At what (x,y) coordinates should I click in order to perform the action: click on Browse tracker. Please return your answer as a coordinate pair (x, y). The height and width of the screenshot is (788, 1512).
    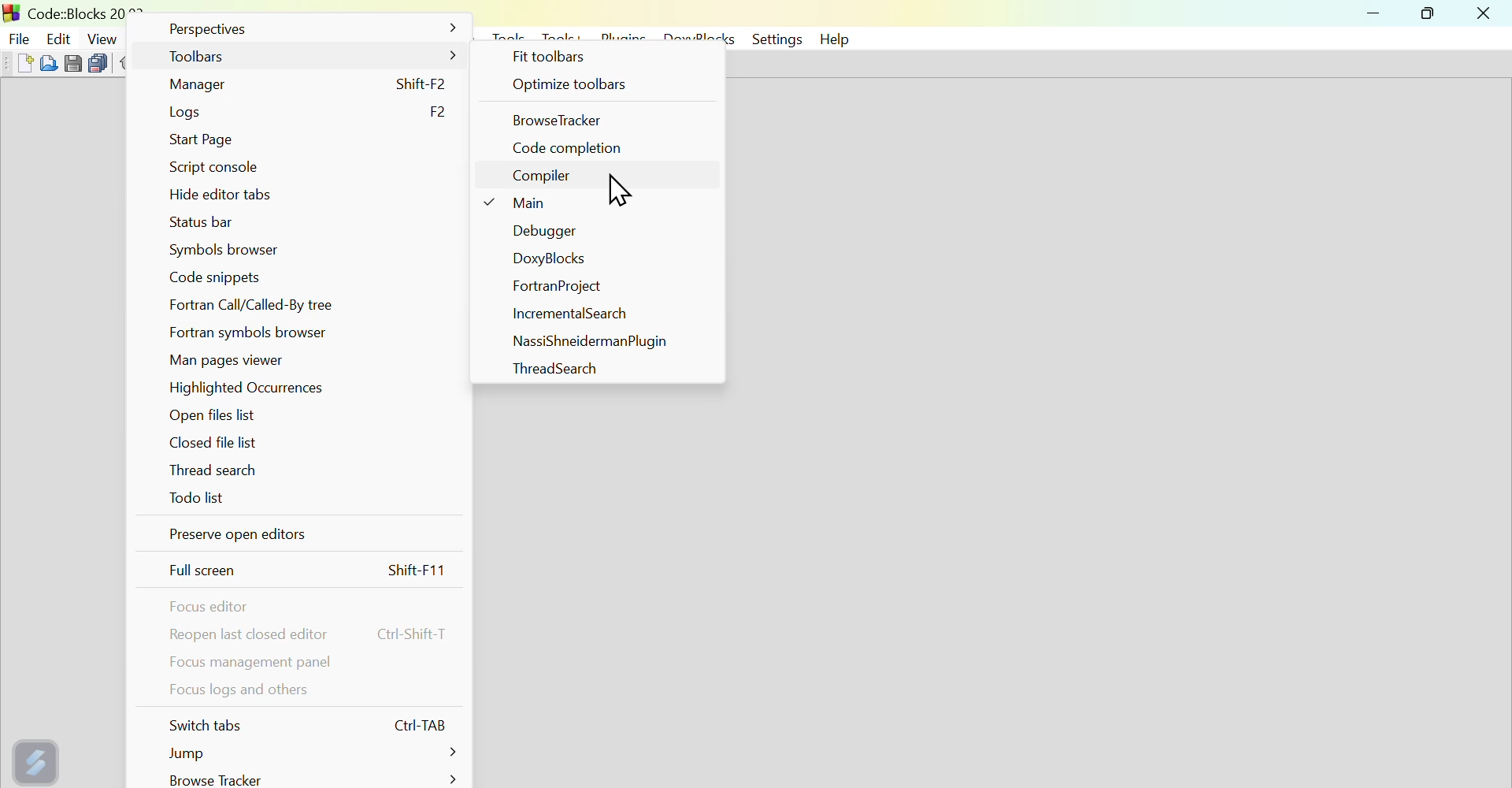
    Looking at the image, I should click on (309, 779).